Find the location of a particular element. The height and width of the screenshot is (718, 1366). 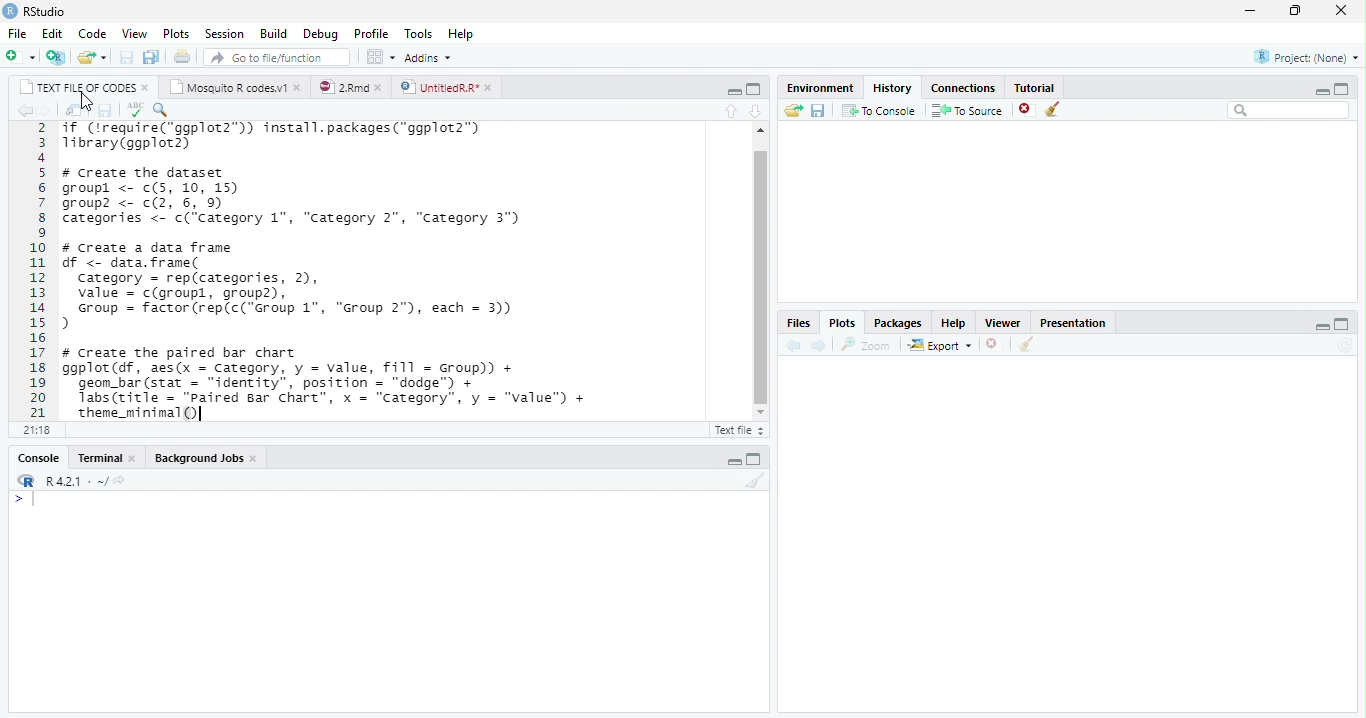

export is located at coordinates (936, 345).